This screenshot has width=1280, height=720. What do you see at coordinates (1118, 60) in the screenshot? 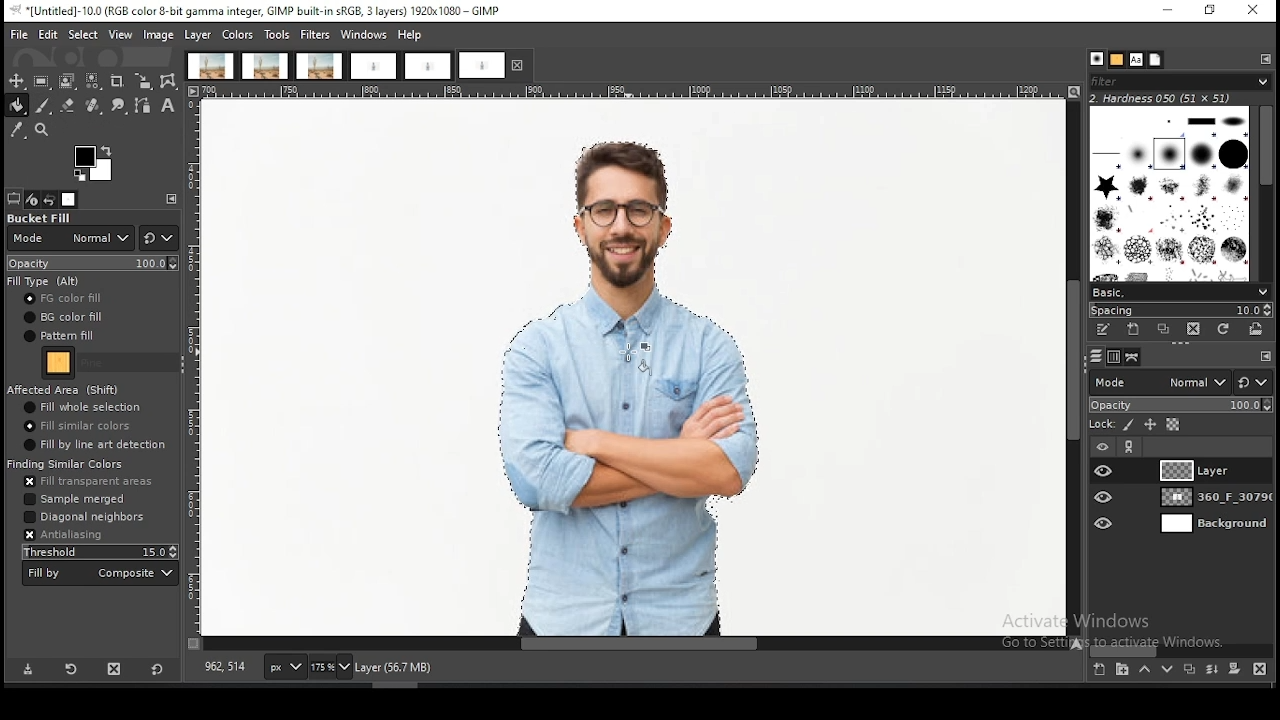
I see `patterns` at bounding box center [1118, 60].